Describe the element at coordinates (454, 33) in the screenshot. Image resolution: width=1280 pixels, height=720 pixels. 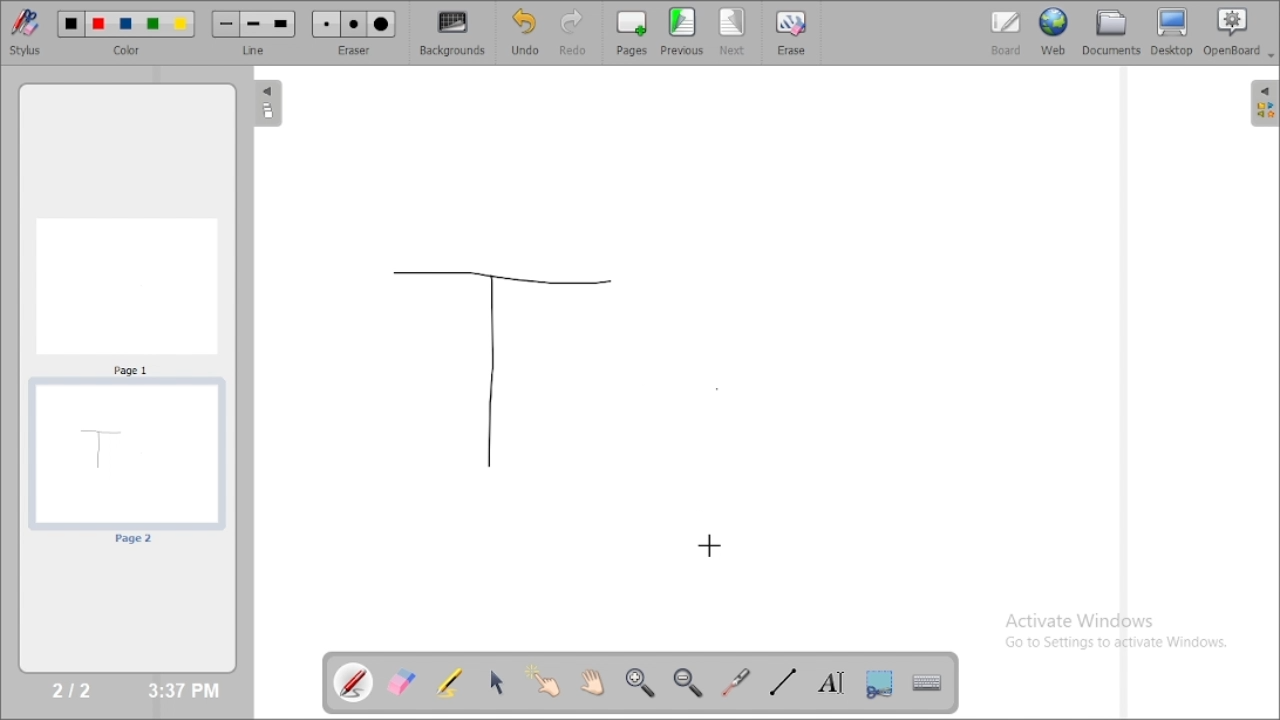
I see `backgrounds` at that location.